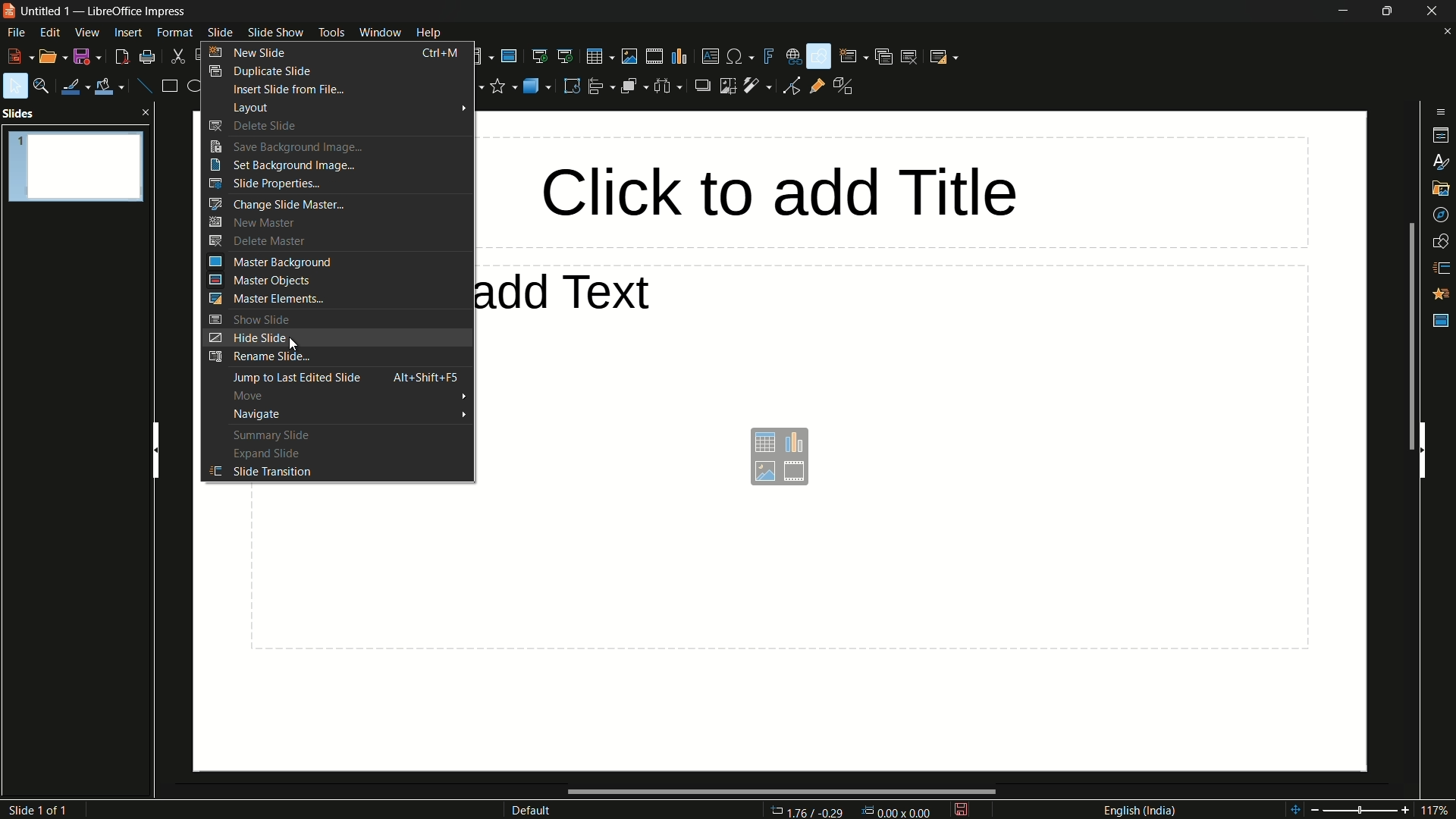 This screenshot has height=819, width=1456. What do you see at coordinates (1439, 240) in the screenshot?
I see `shapes` at bounding box center [1439, 240].